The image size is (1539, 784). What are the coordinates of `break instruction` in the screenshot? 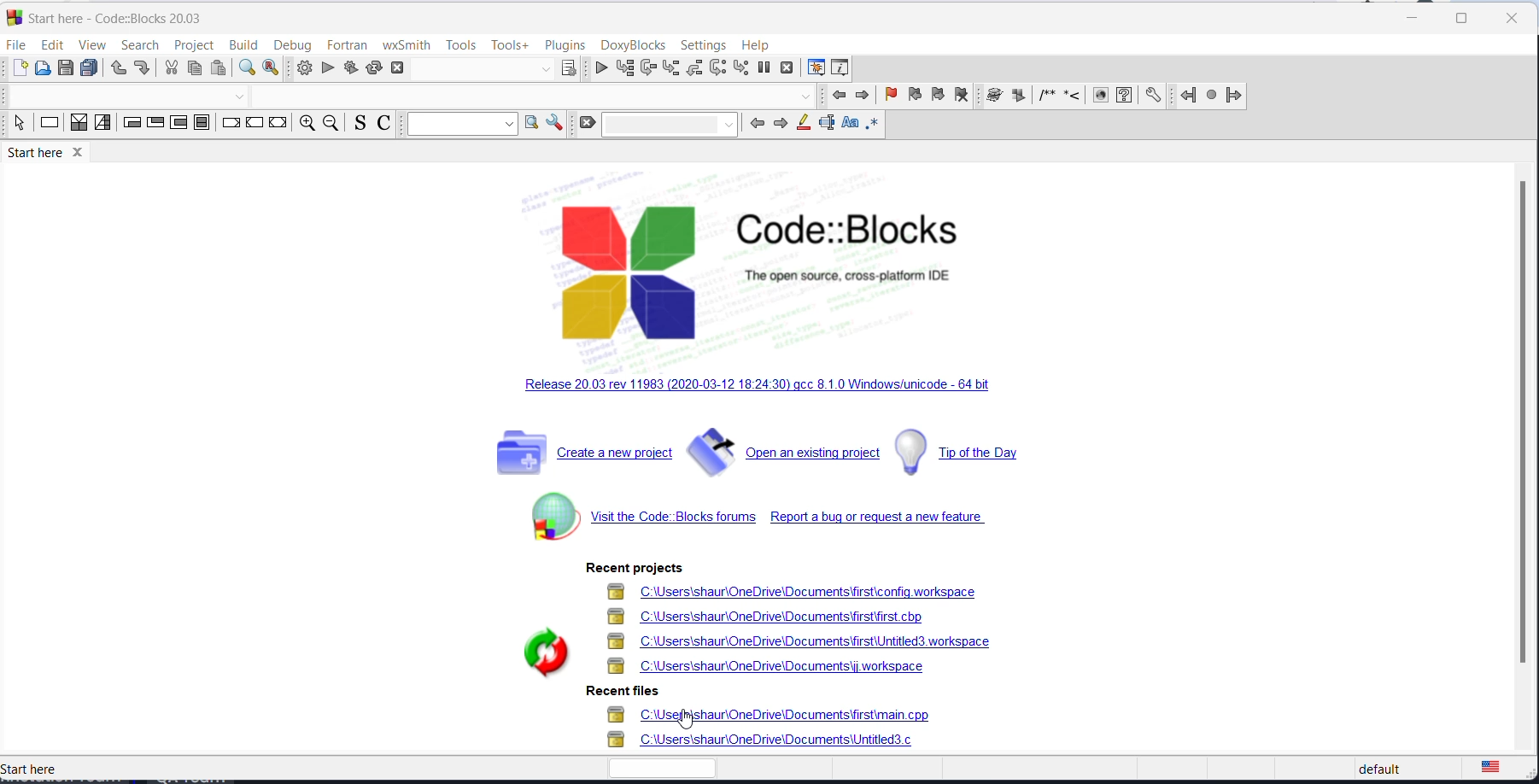 It's located at (230, 125).